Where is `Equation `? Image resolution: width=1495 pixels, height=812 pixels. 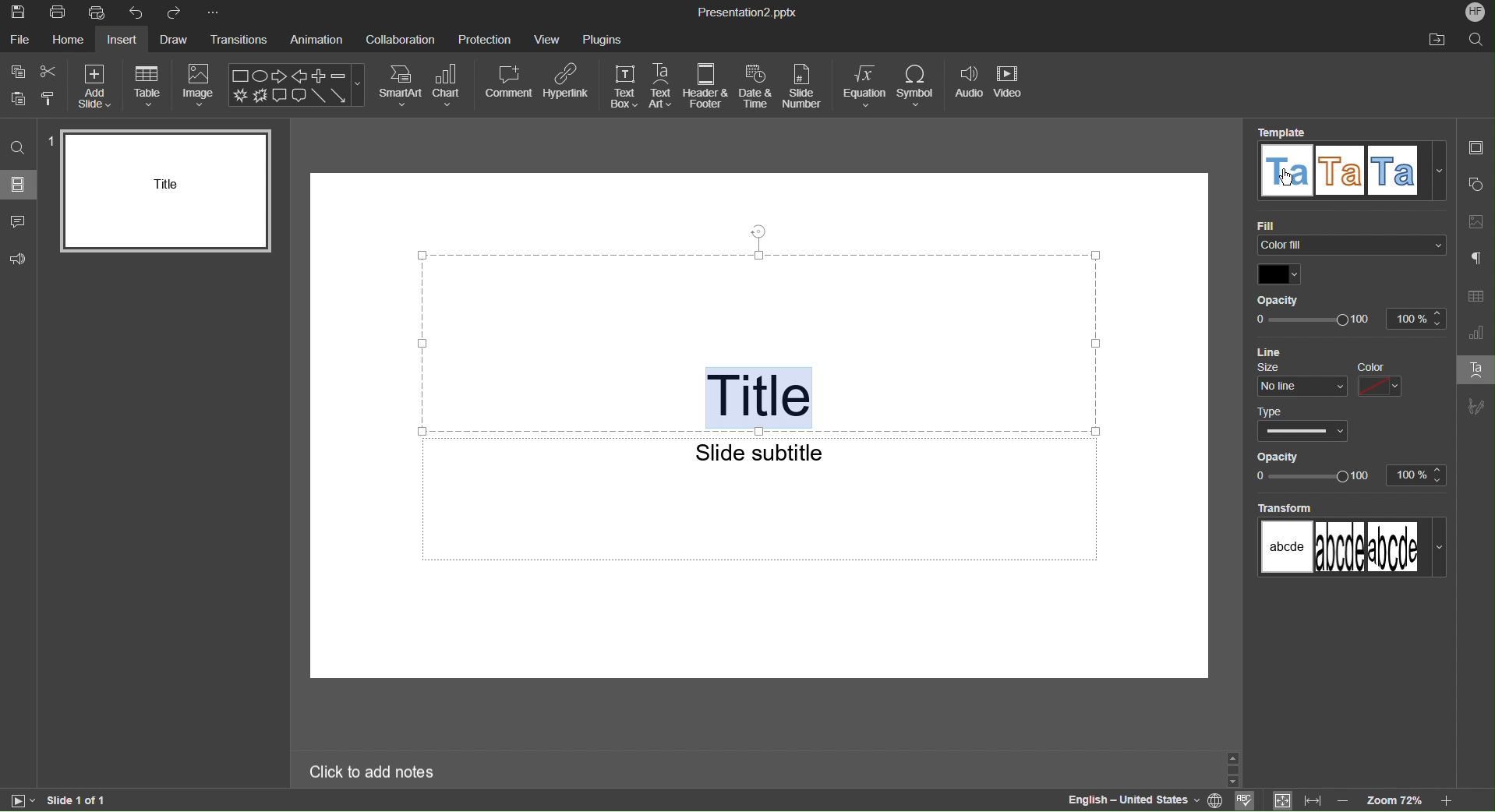 Equation  is located at coordinates (864, 86).